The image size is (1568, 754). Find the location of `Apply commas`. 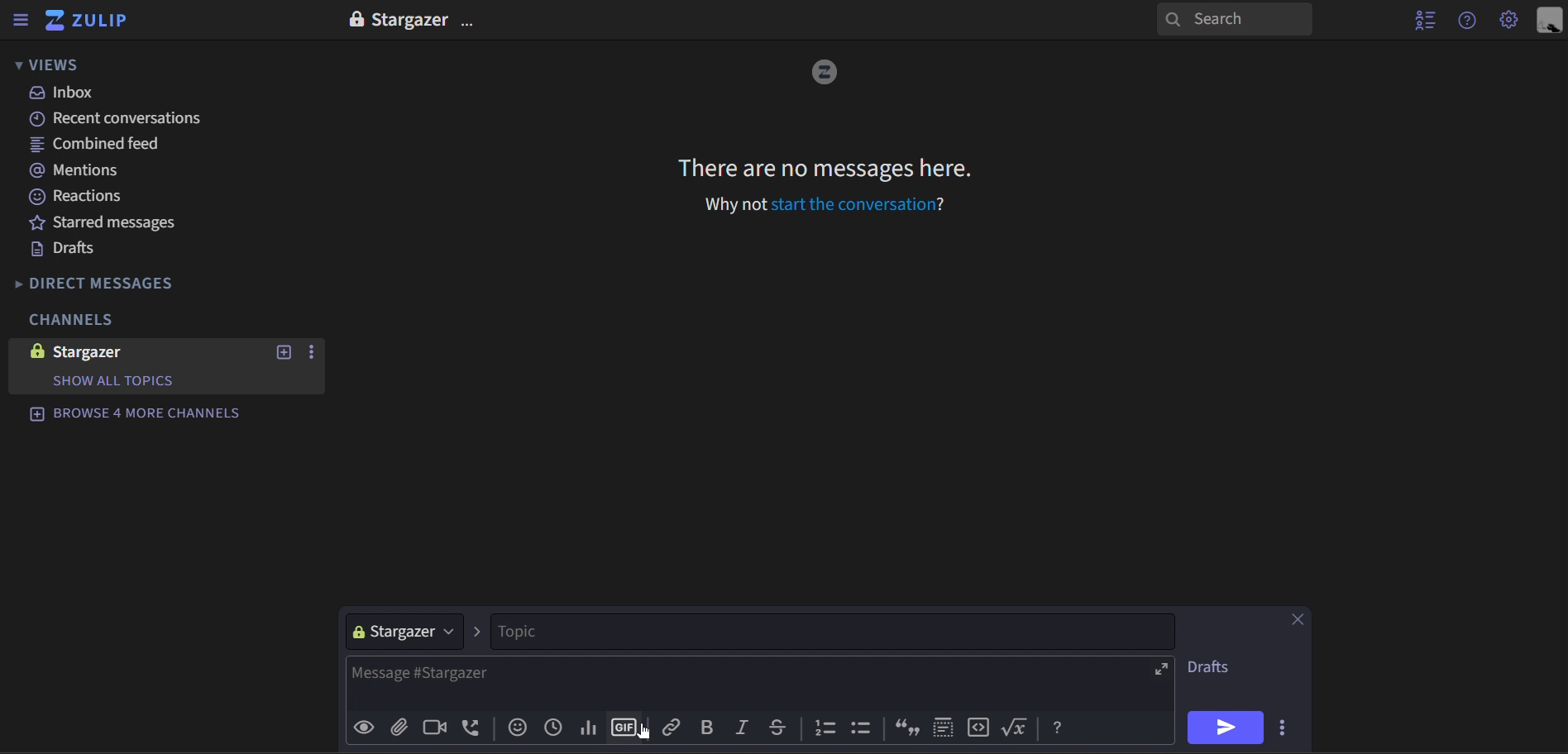

Apply commas is located at coordinates (906, 728).